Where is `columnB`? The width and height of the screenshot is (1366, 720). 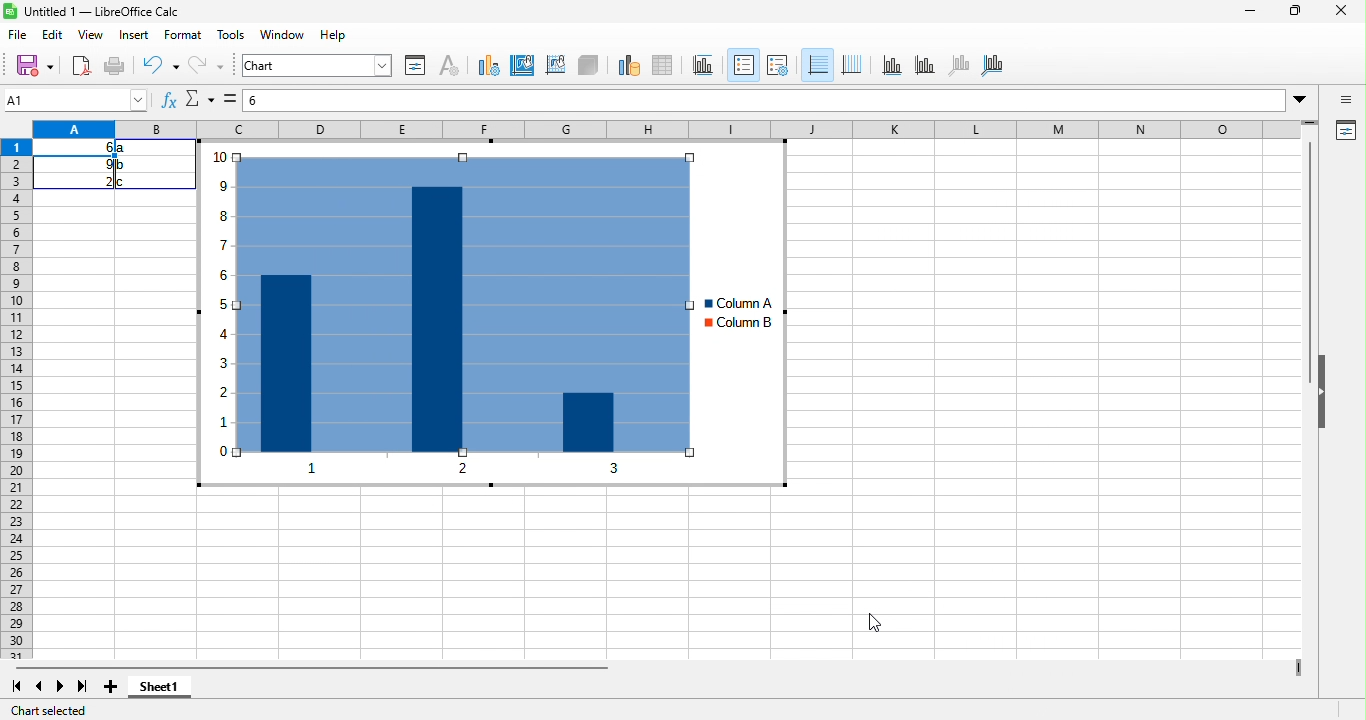 columnB is located at coordinates (737, 325).